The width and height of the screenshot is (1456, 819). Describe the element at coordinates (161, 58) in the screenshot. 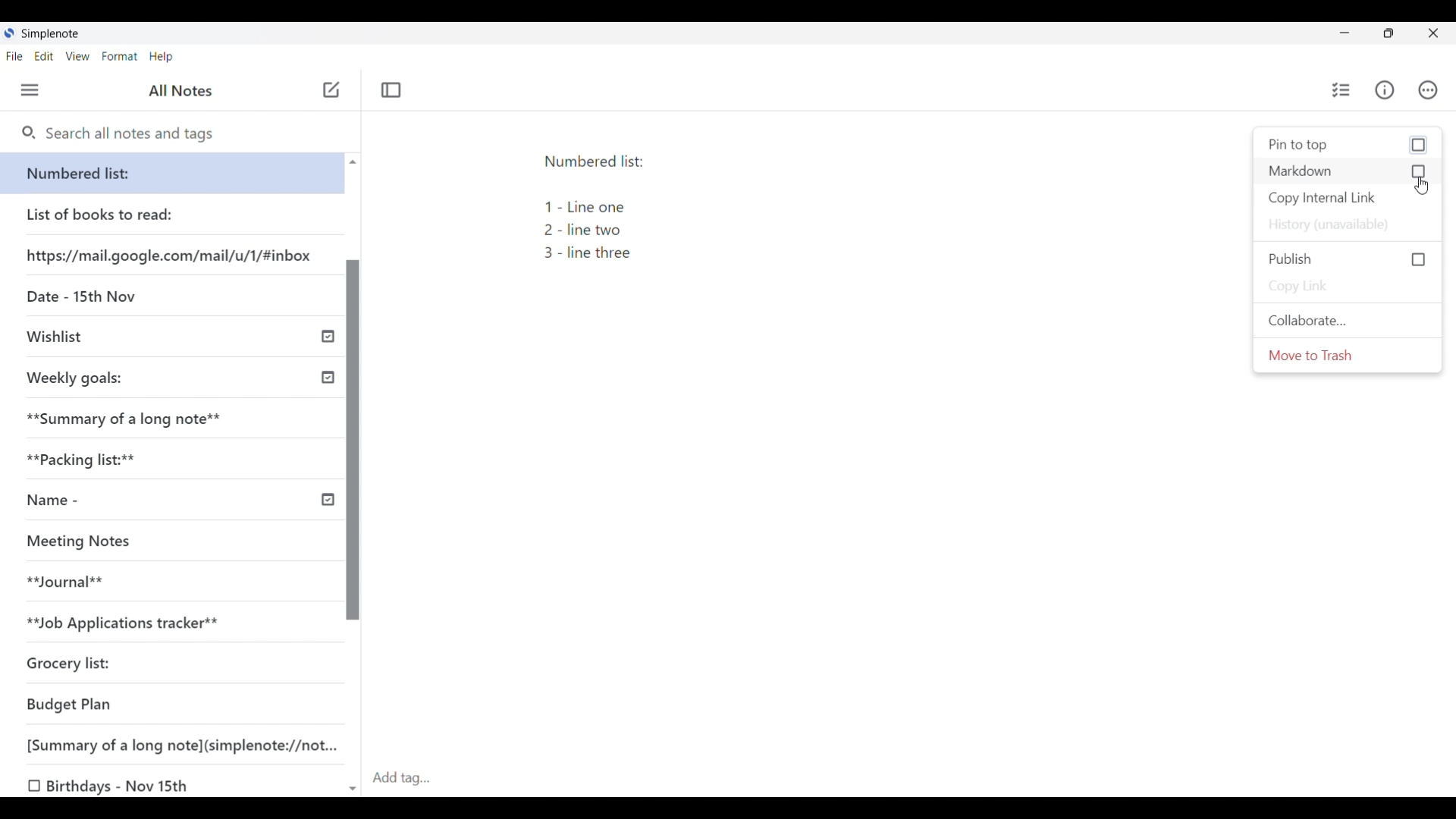

I see `Help menu` at that location.